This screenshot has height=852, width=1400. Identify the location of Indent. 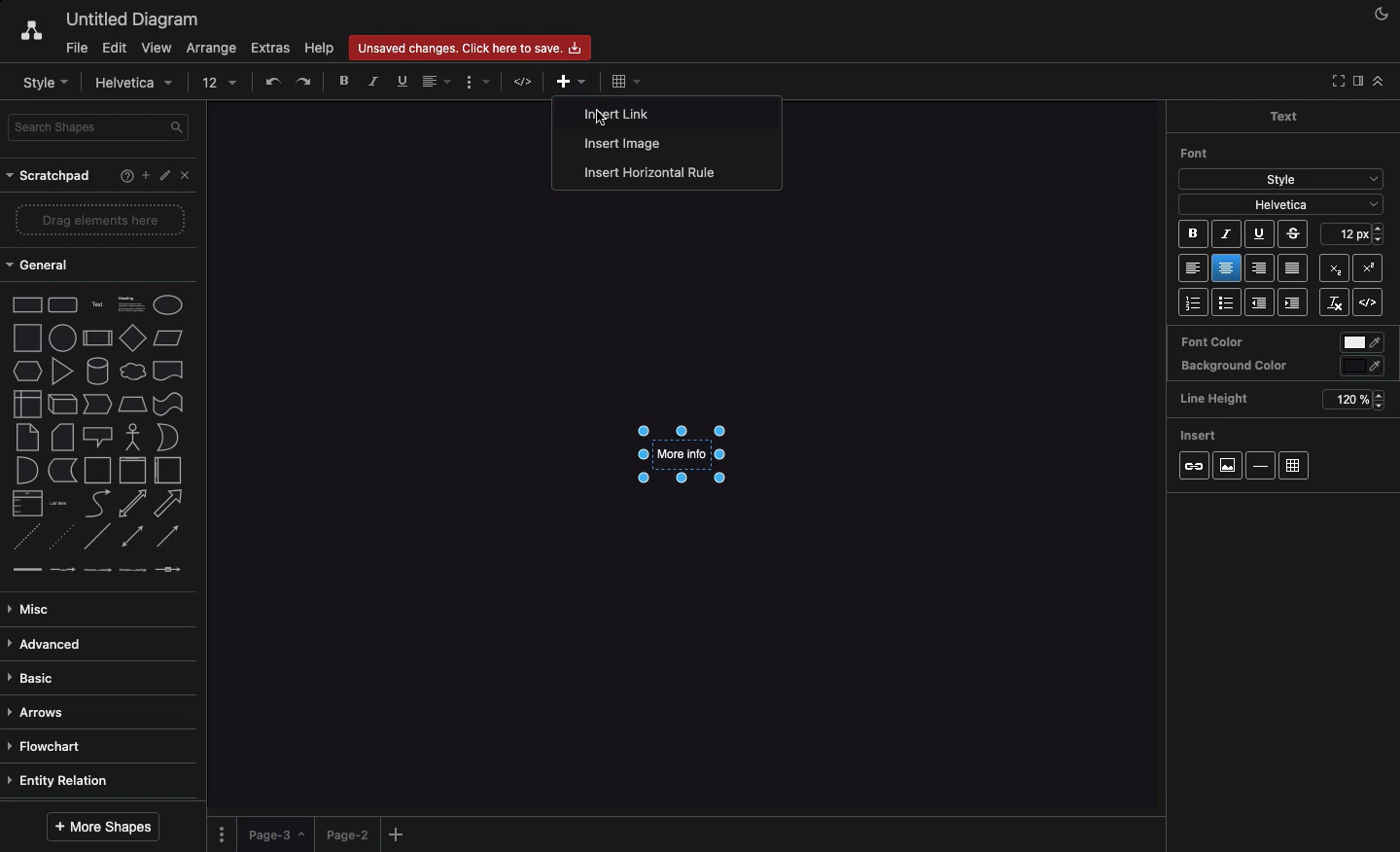
(1295, 303).